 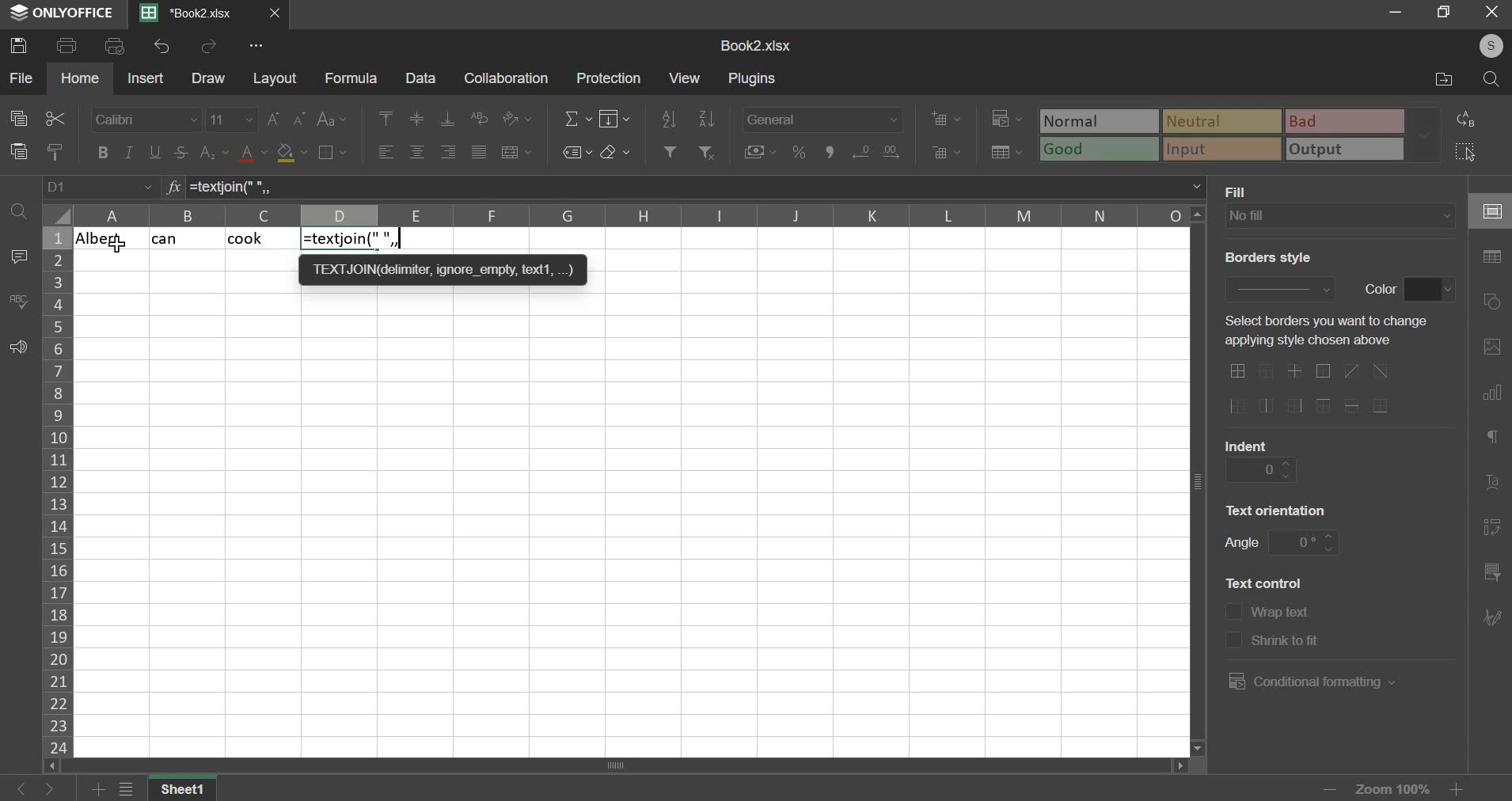 What do you see at coordinates (145, 78) in the screenshot?
I see `insert` at bounding box center [145, 78].